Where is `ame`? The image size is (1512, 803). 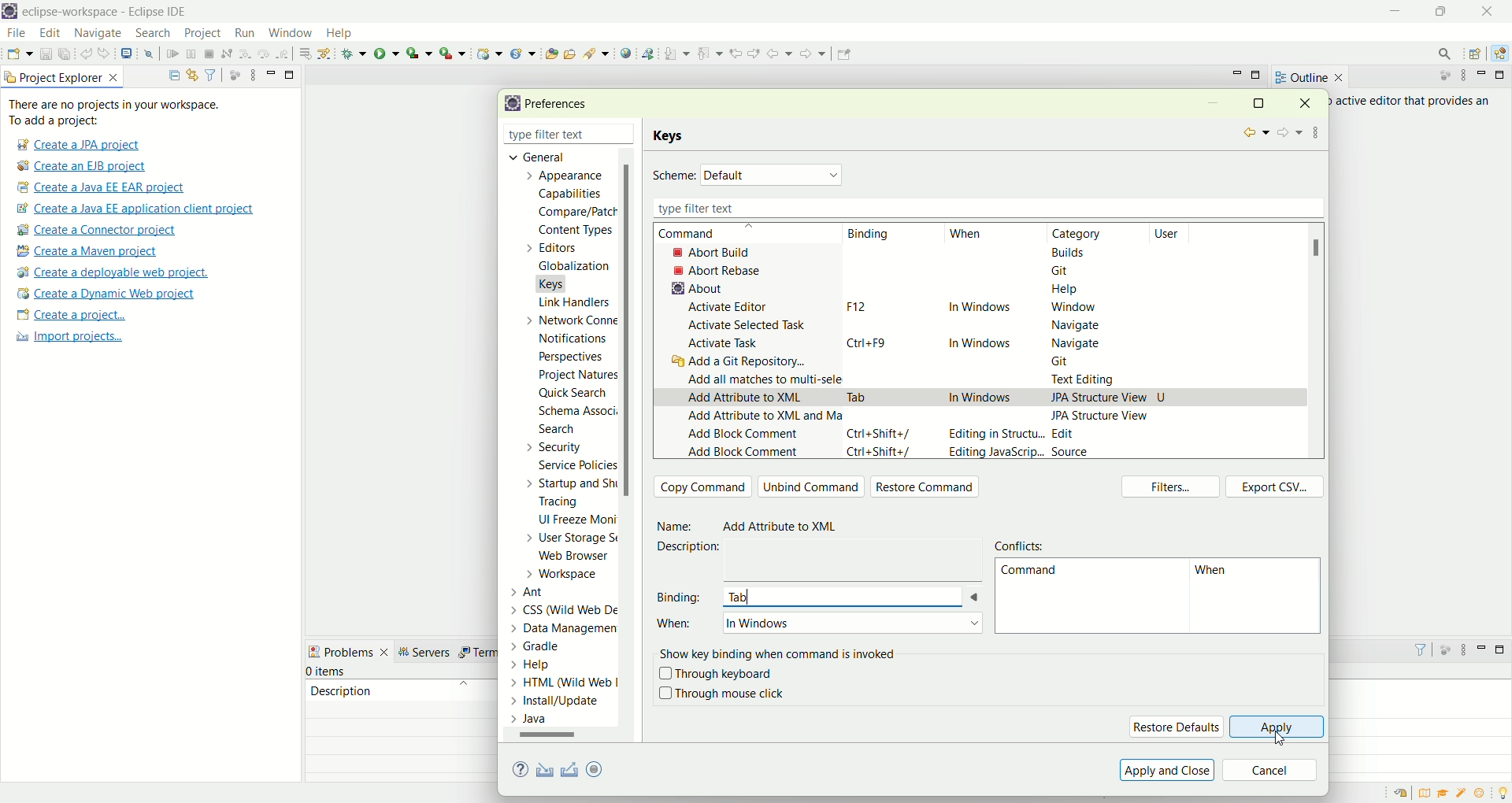 ame is located at coordinates (677, 527).